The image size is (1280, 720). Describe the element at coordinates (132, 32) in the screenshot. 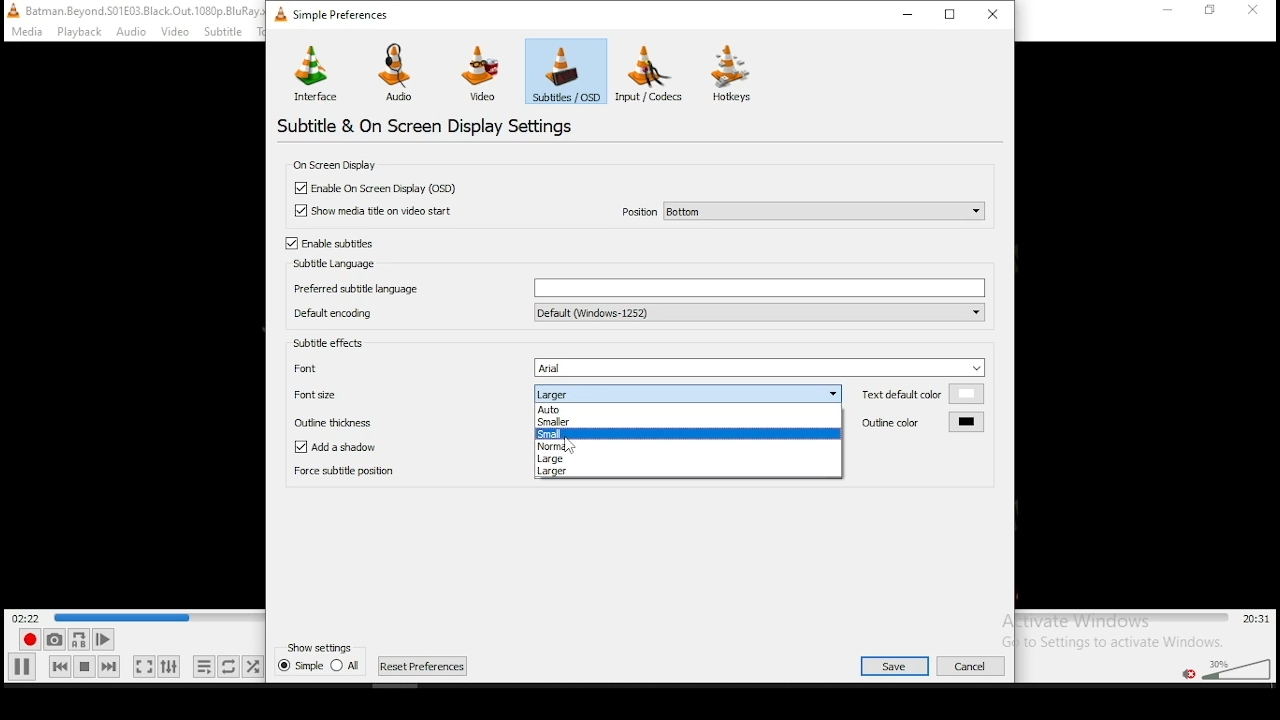

I see `` at that location.